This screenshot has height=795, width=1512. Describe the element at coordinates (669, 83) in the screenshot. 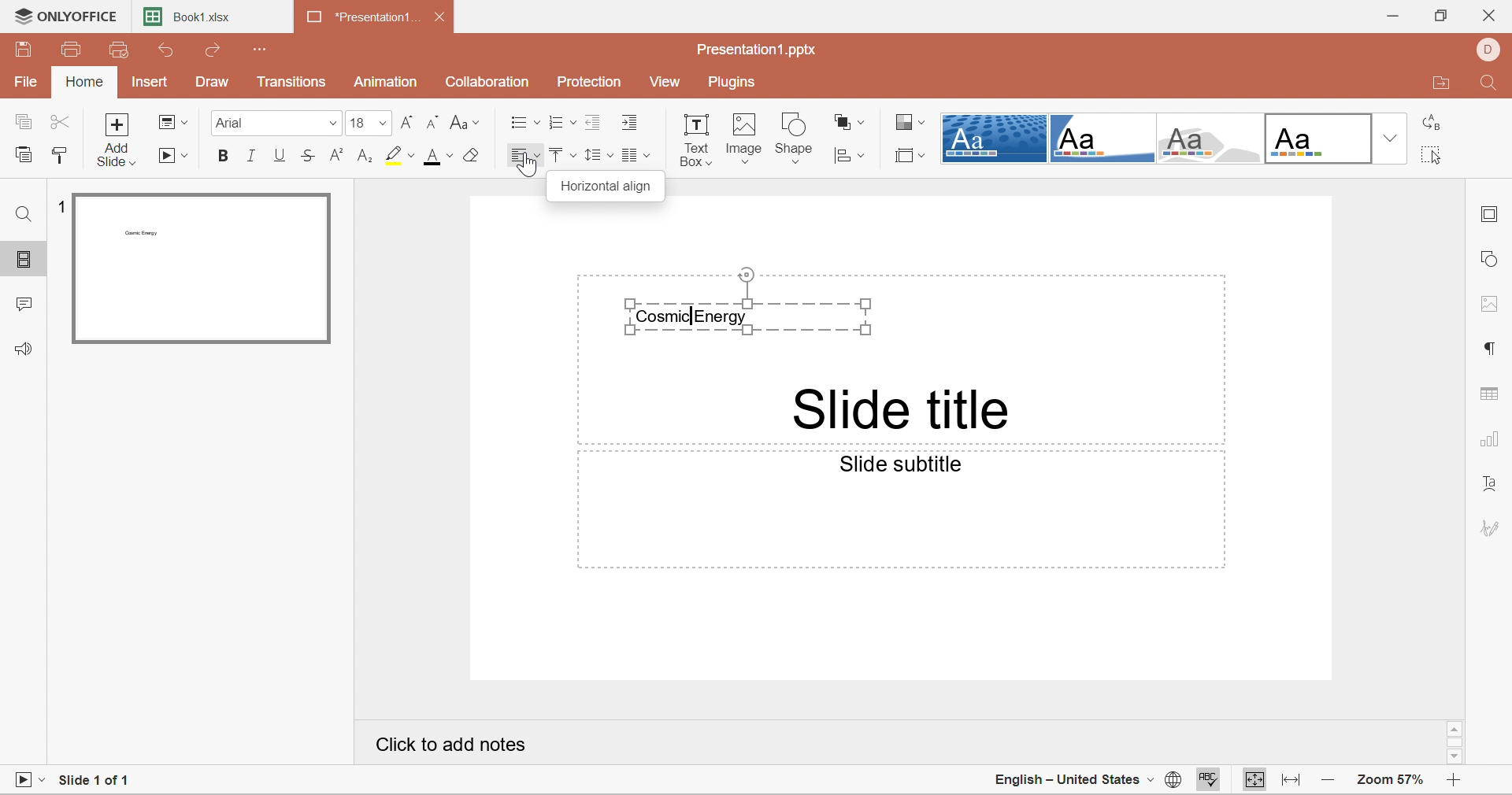

I see `View` at that location.